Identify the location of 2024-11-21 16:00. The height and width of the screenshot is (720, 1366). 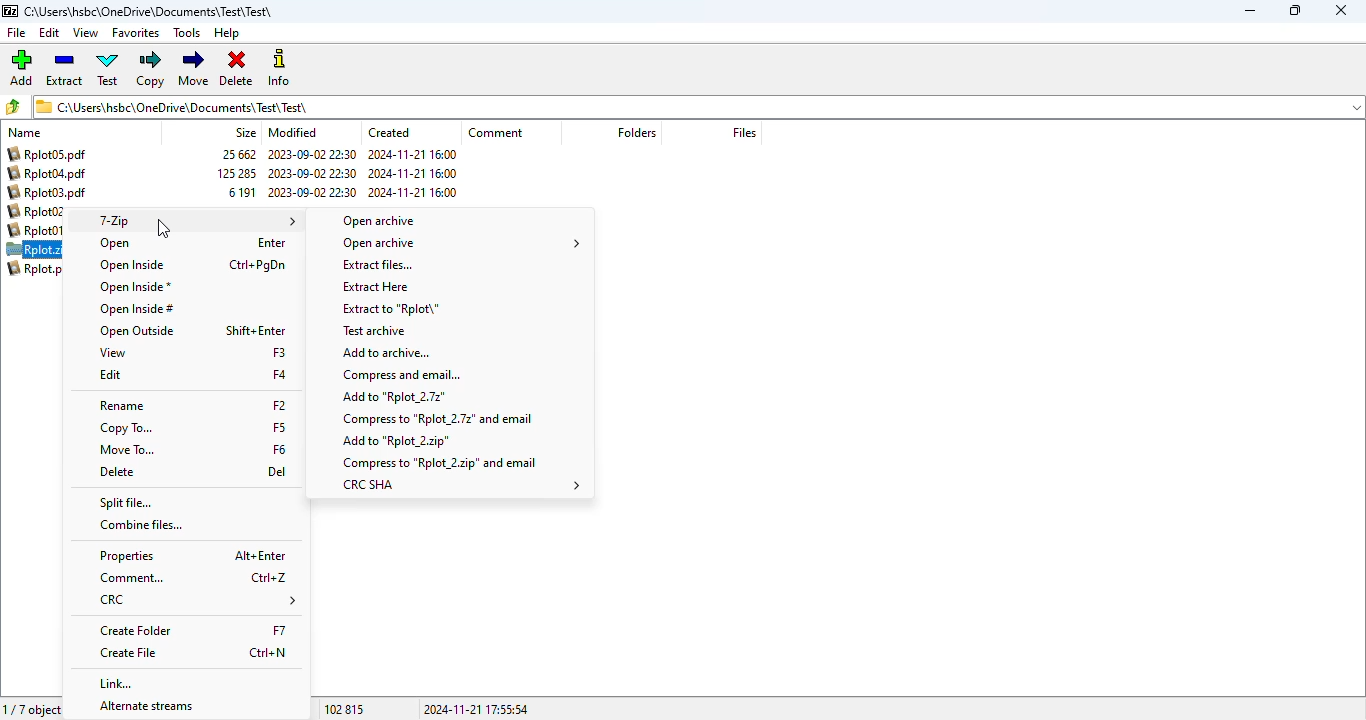
(413, 192).